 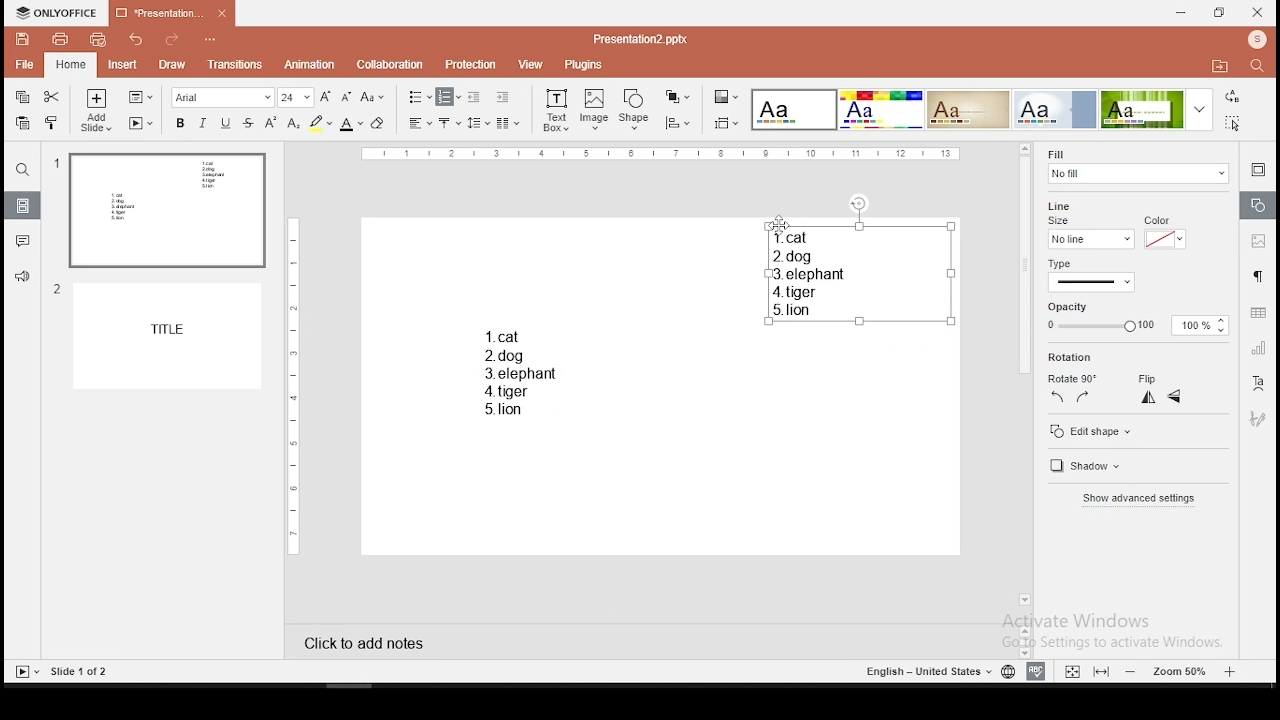 What do you see at coordinates (211, 41) in the screenshot?
I see `options` at bounding box center [211, 41].